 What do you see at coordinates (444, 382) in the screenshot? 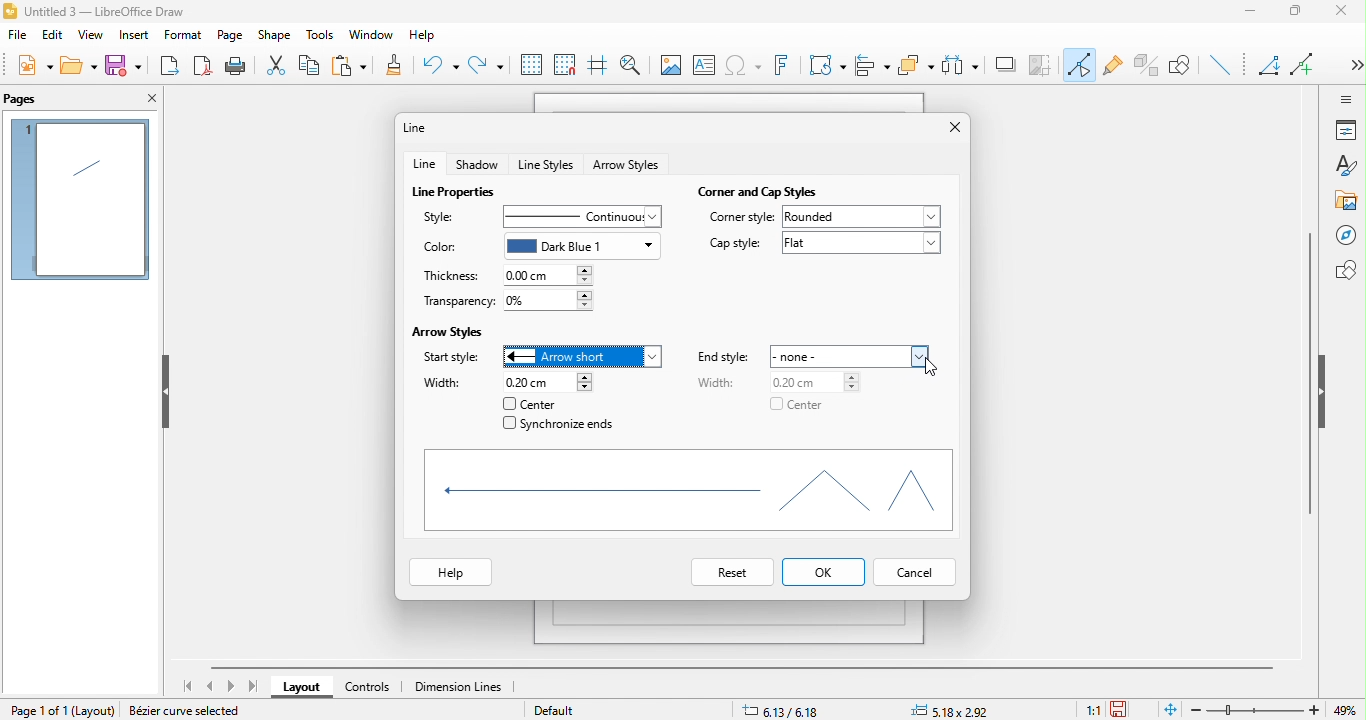
I see `width` at bounding box center [444, 382].